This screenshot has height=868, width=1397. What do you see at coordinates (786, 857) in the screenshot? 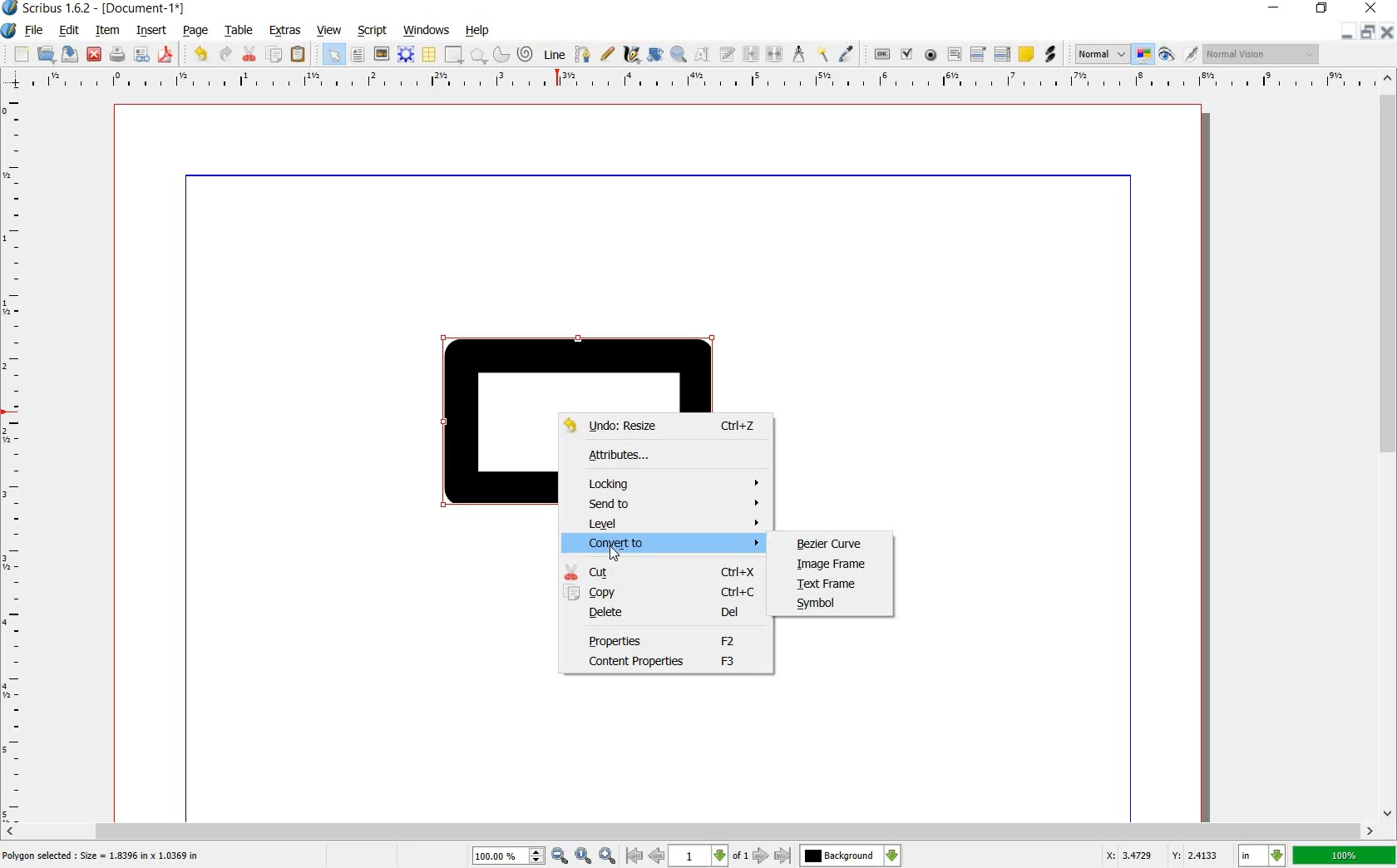
I see `move to over-next page` at bounding box center [786, 857].